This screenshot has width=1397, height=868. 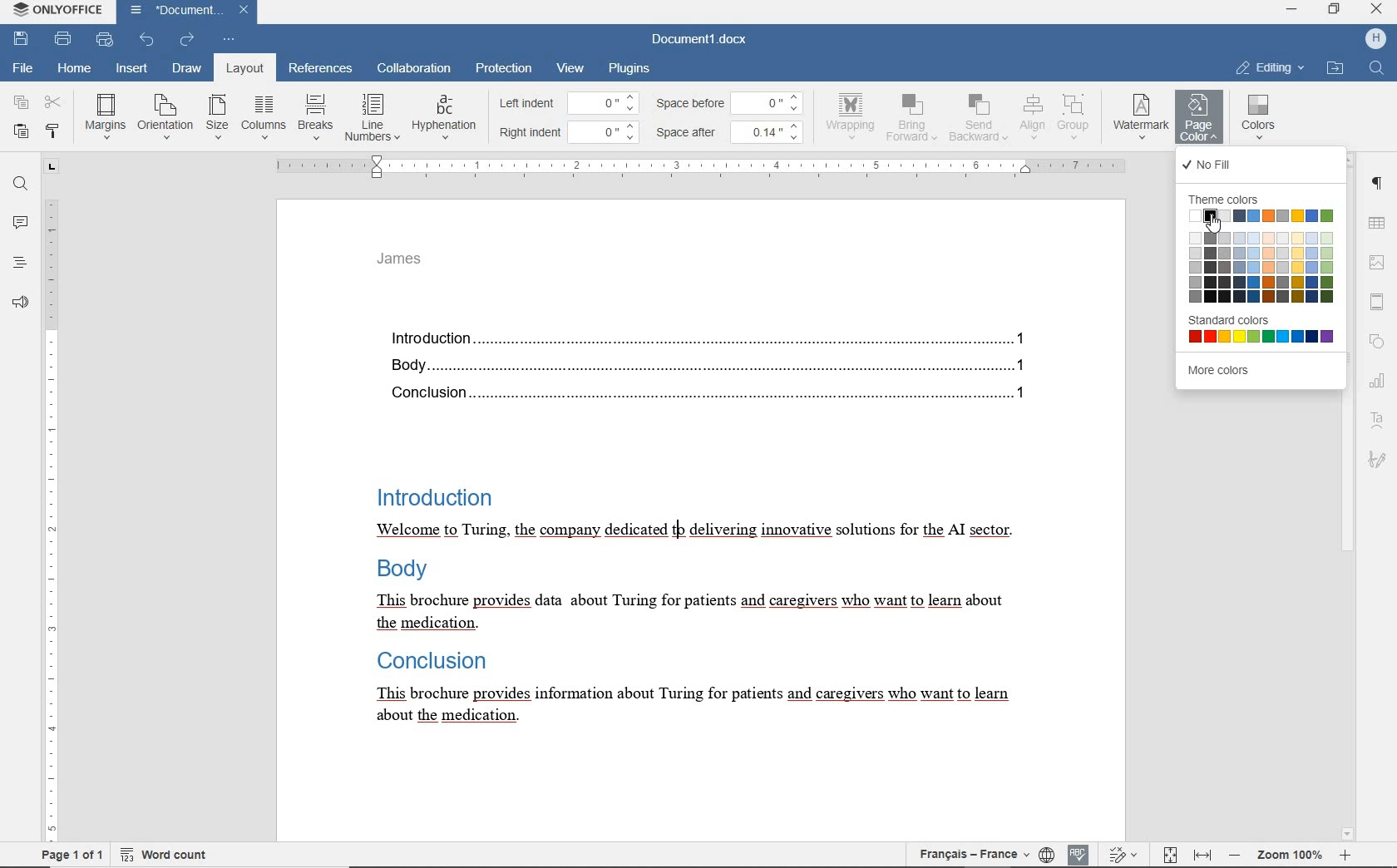 I want to click on columns, so click(x=263, y=120).